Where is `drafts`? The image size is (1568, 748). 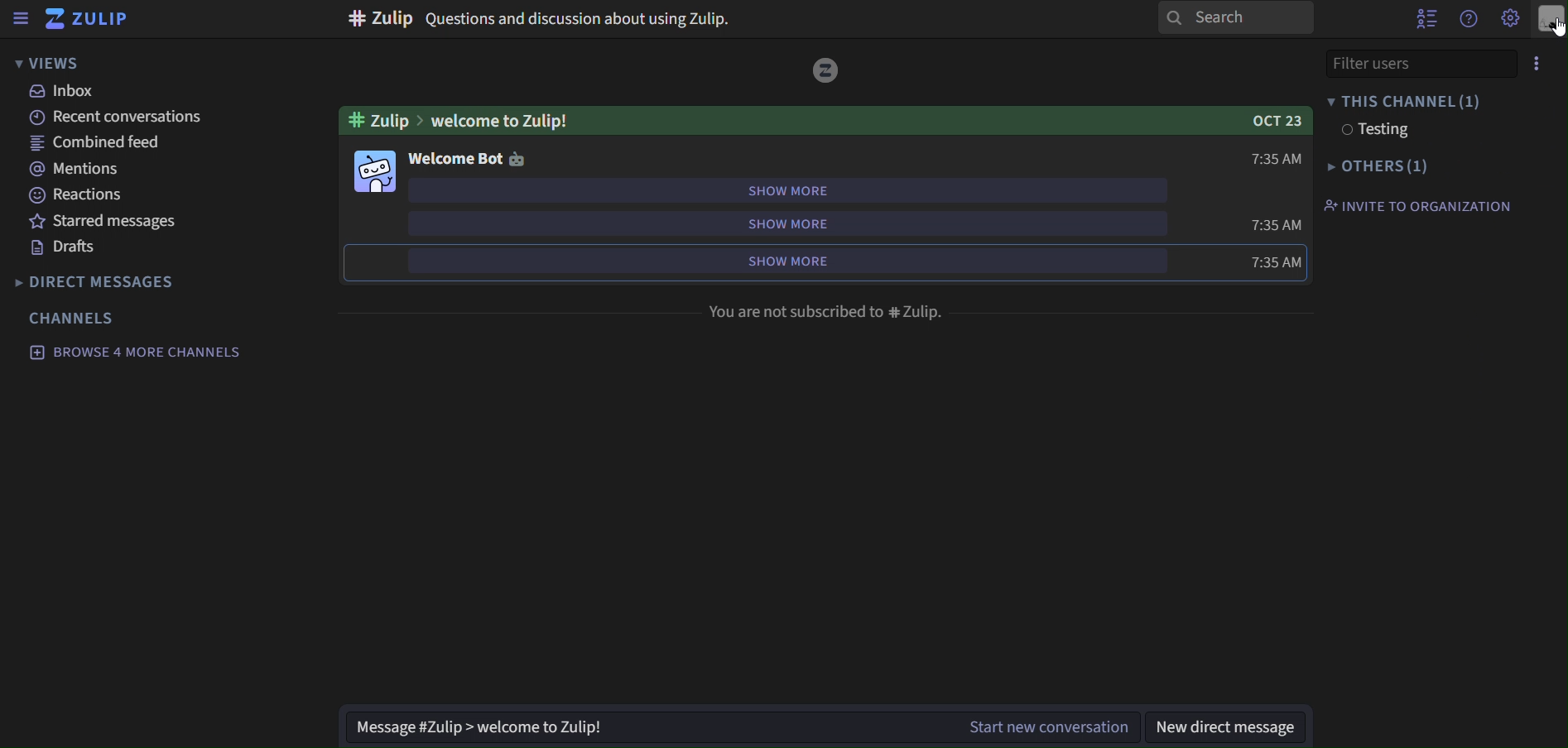
drafts is located at coordinates (71, 250).